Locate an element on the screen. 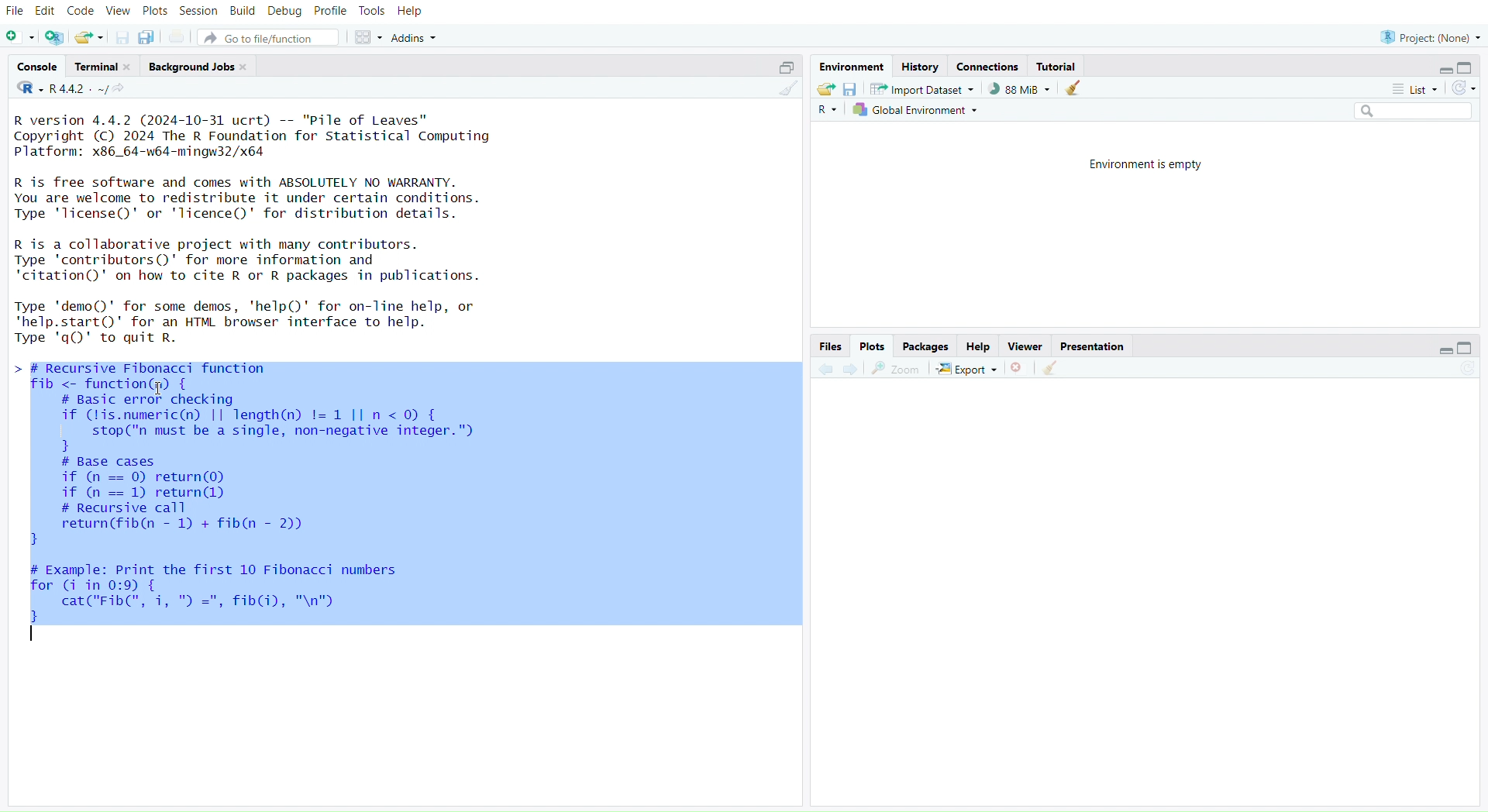 This screenshot has width=1488, height=812. environment is empty is located at coordinates (1150, 163).